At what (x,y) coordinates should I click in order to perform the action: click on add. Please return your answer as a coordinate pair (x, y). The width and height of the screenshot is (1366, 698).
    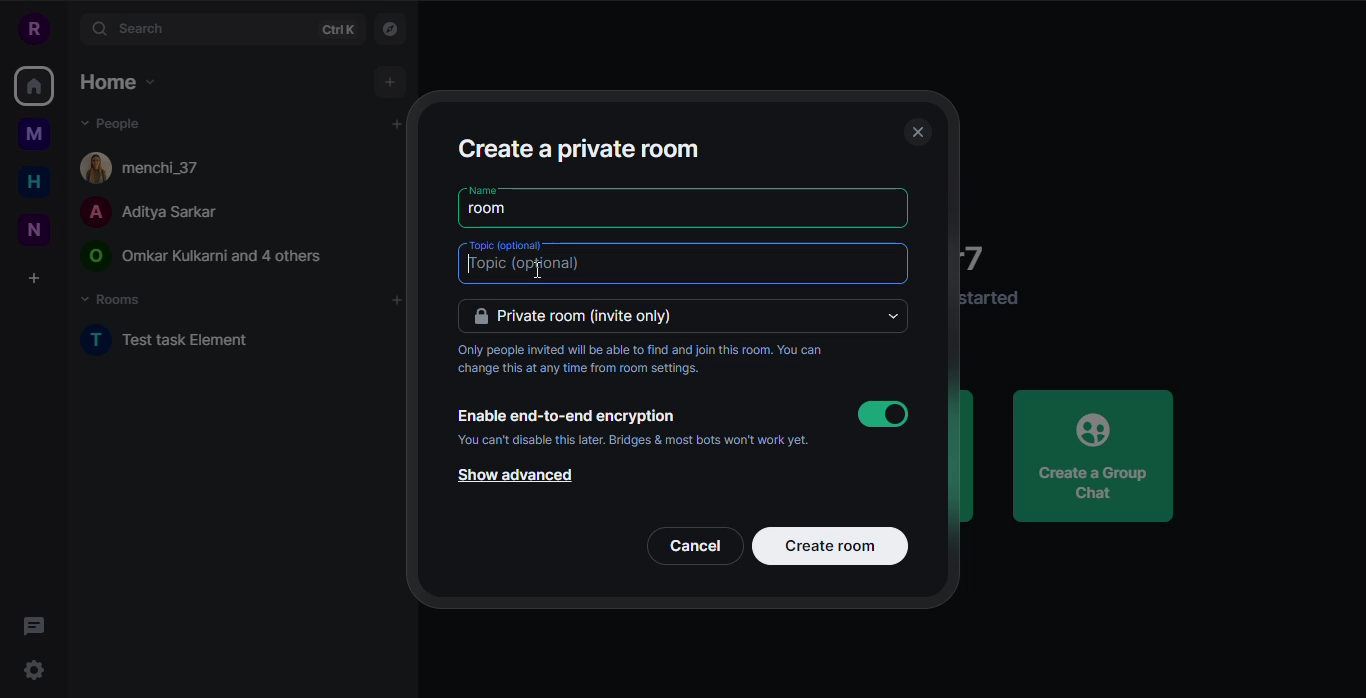
    Looking at the image, I should click on (390, 82).